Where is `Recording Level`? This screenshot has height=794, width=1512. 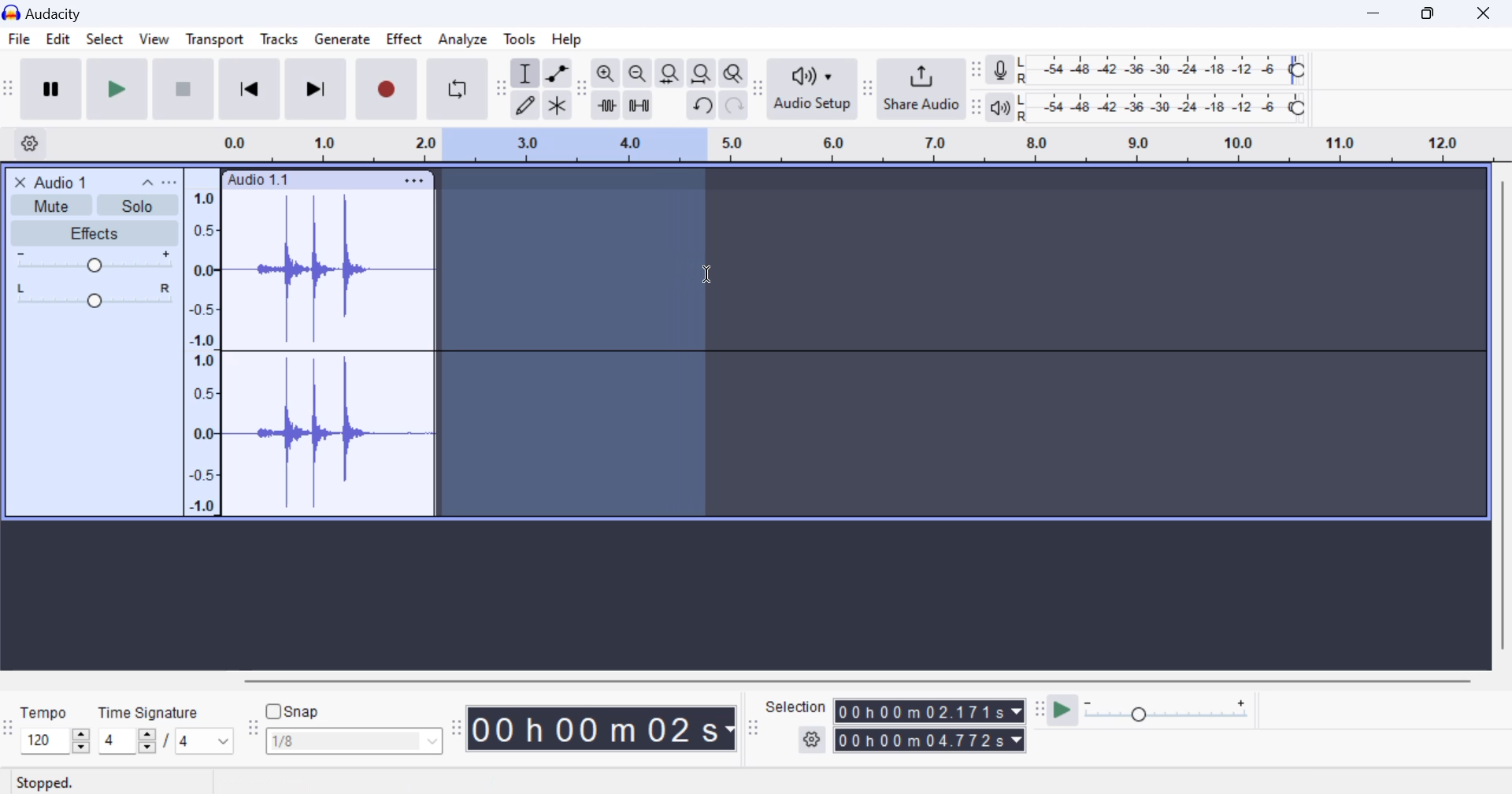
Recording Level is located at coordinates (1162, 70).